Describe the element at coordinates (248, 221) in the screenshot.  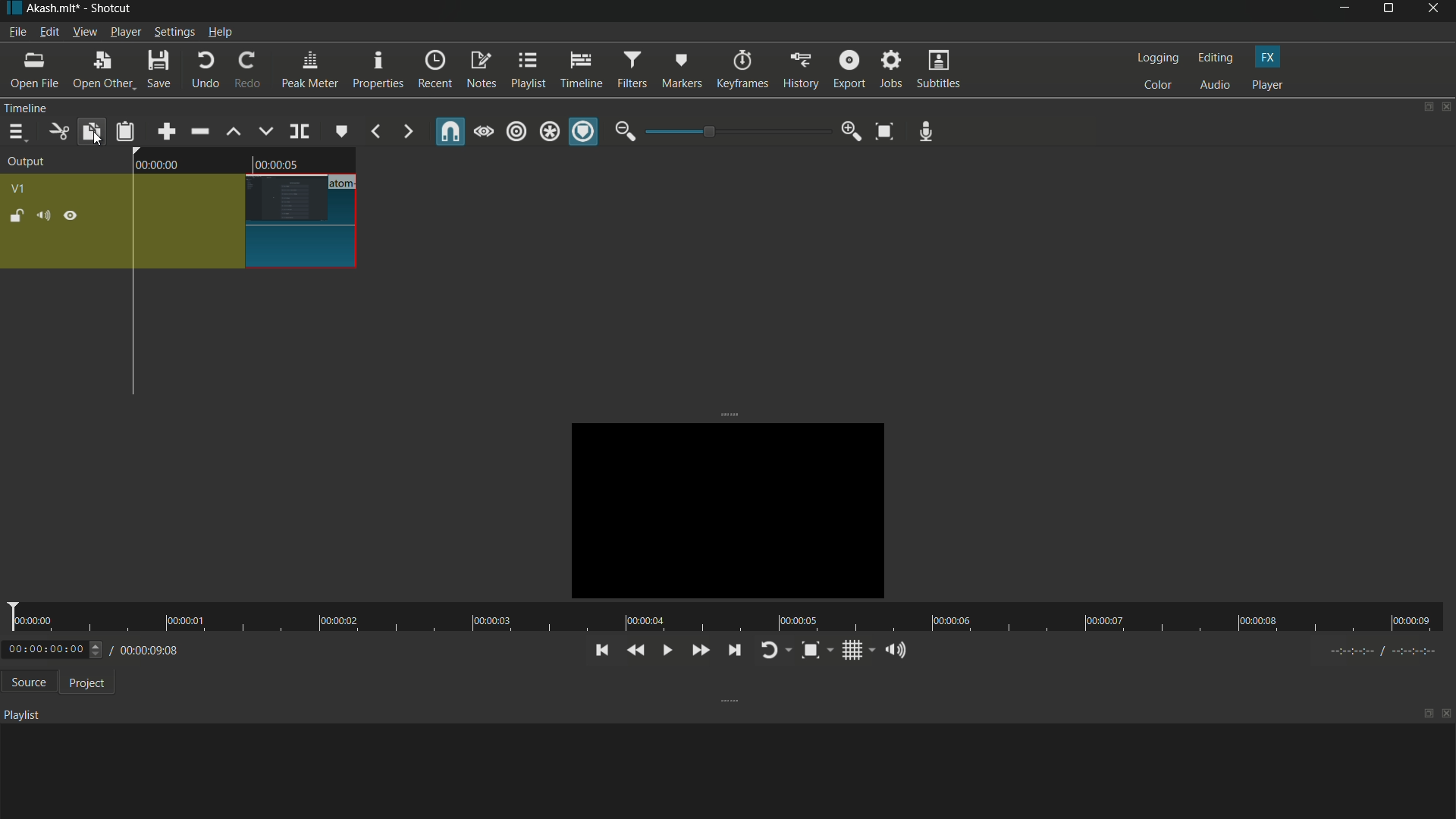
I see `video in timeline` at that location.